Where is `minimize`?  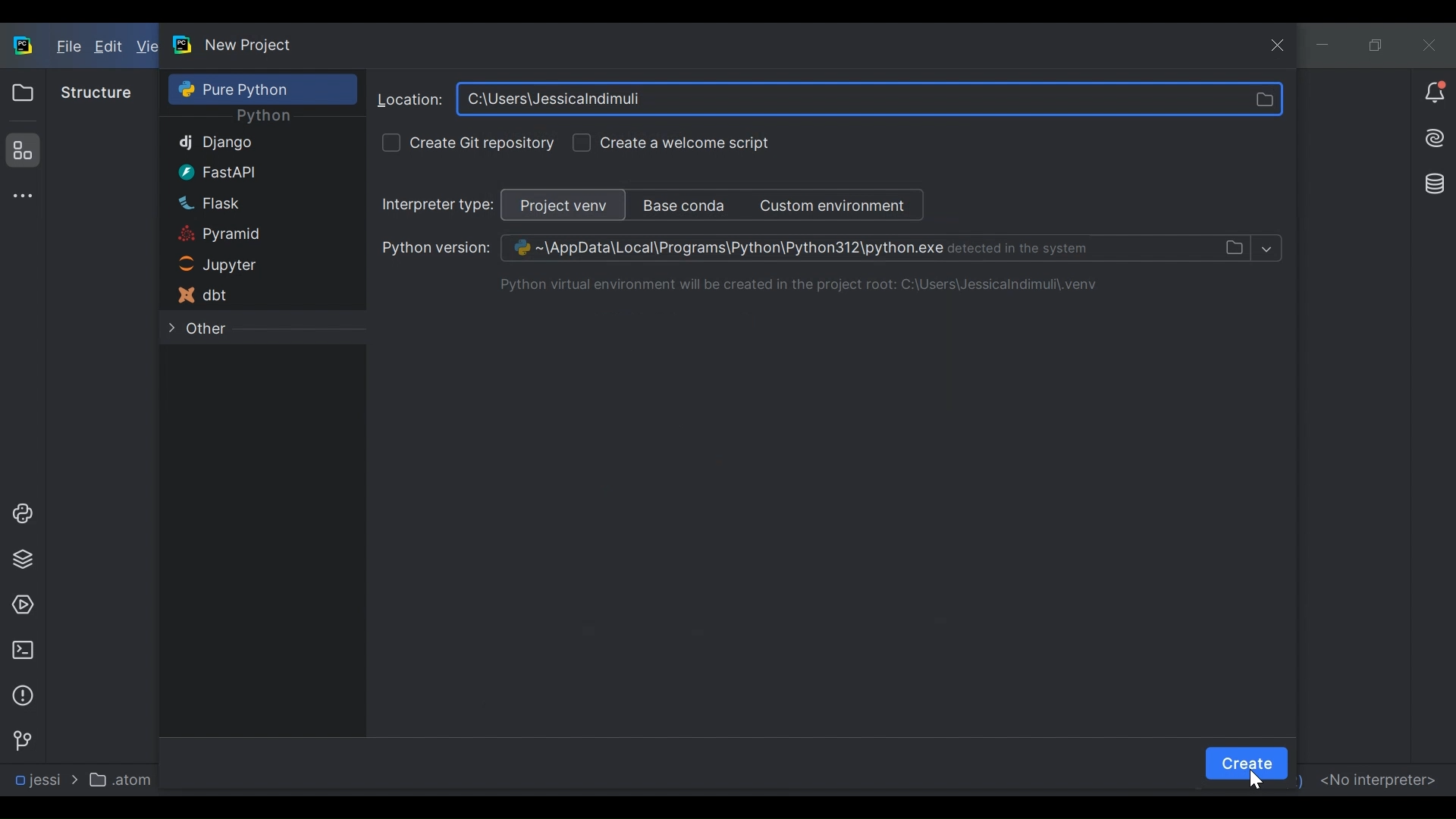
minimize is located at coordinates (1324, 45).